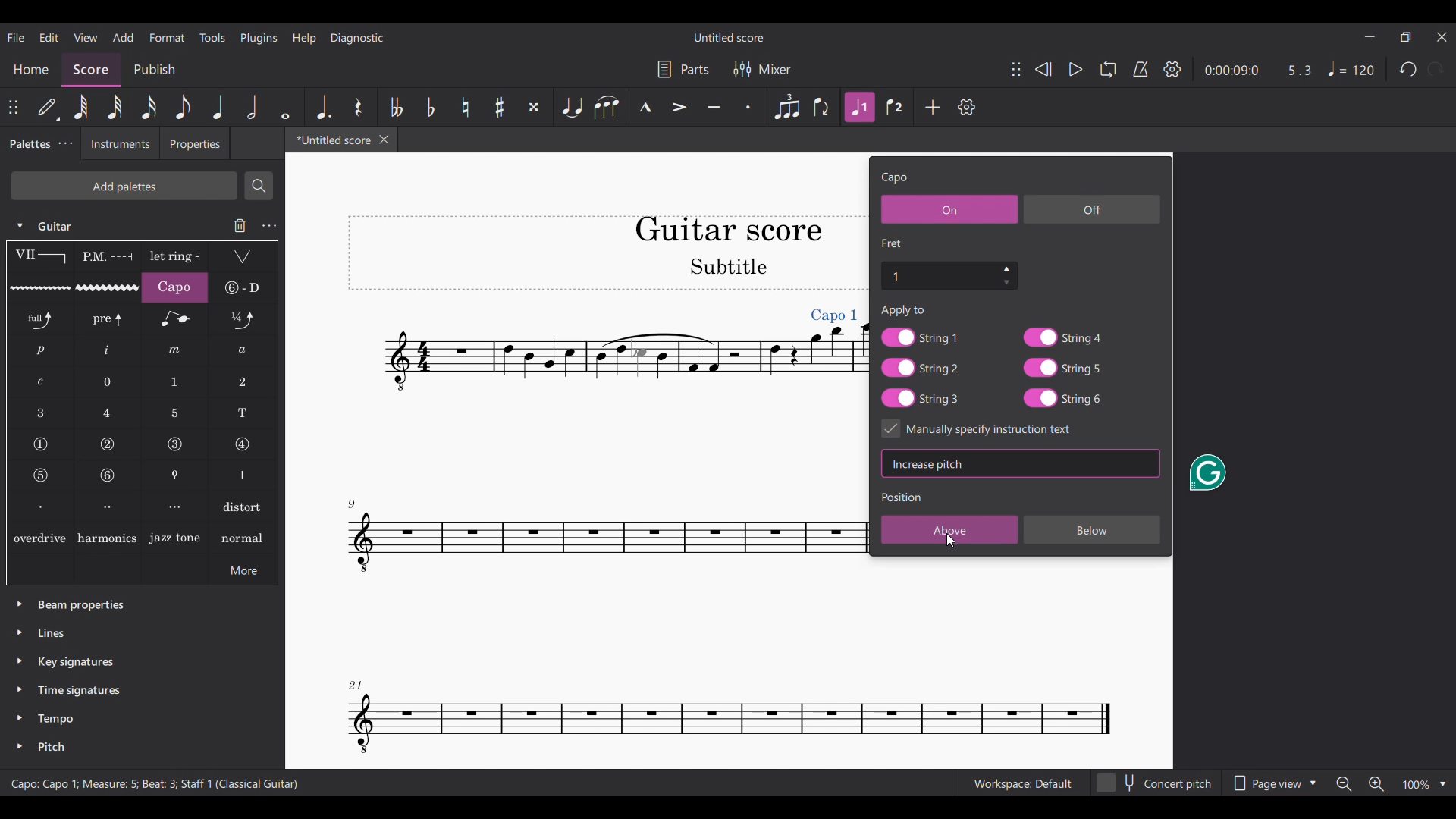  What do you see at coordinates (891, 428) in the screenshot?
I see `Indicates toggle on` at bounding box center [891, 428].